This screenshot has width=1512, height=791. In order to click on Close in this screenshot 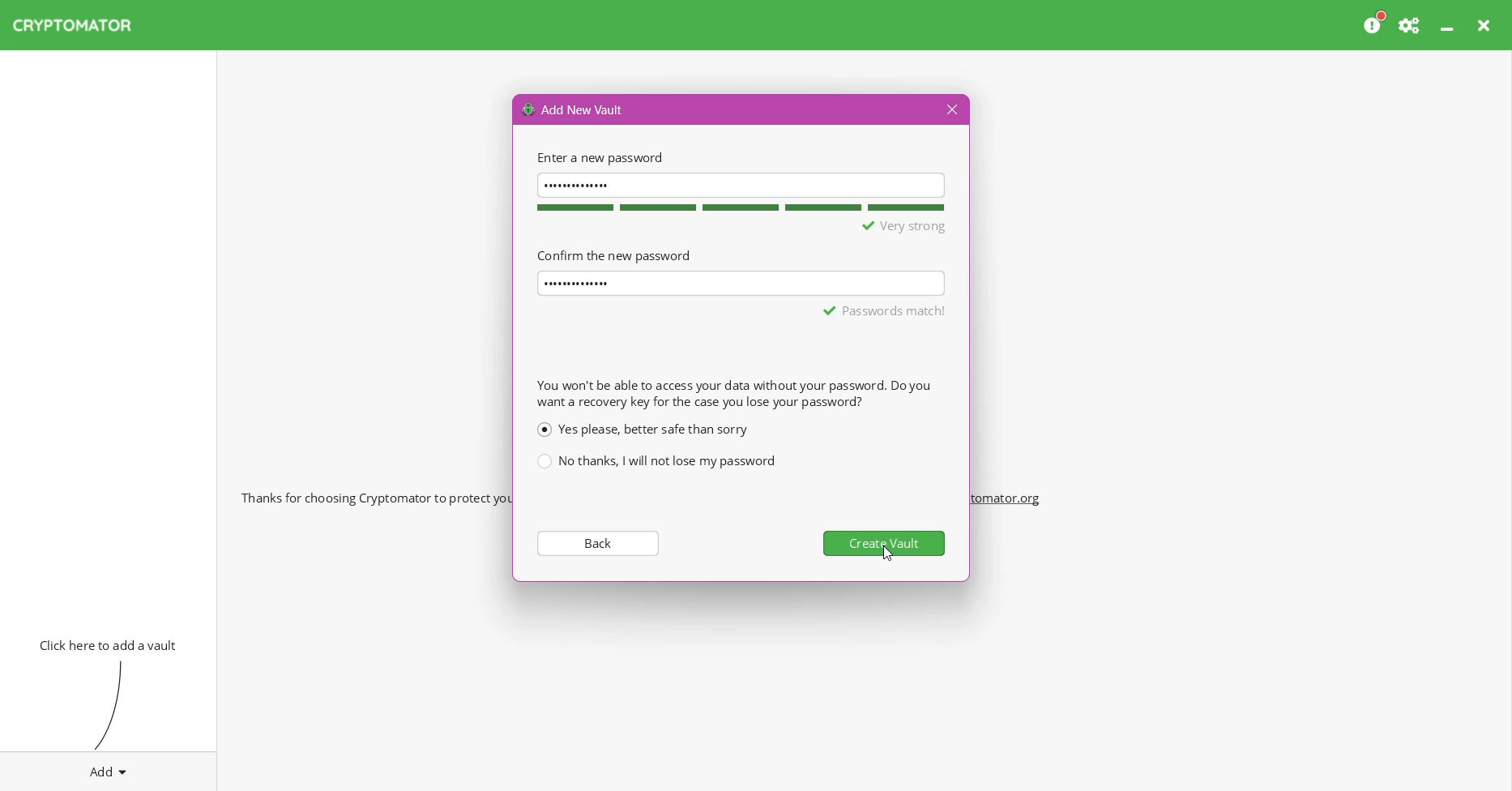, I will do `click(950, 110)`.